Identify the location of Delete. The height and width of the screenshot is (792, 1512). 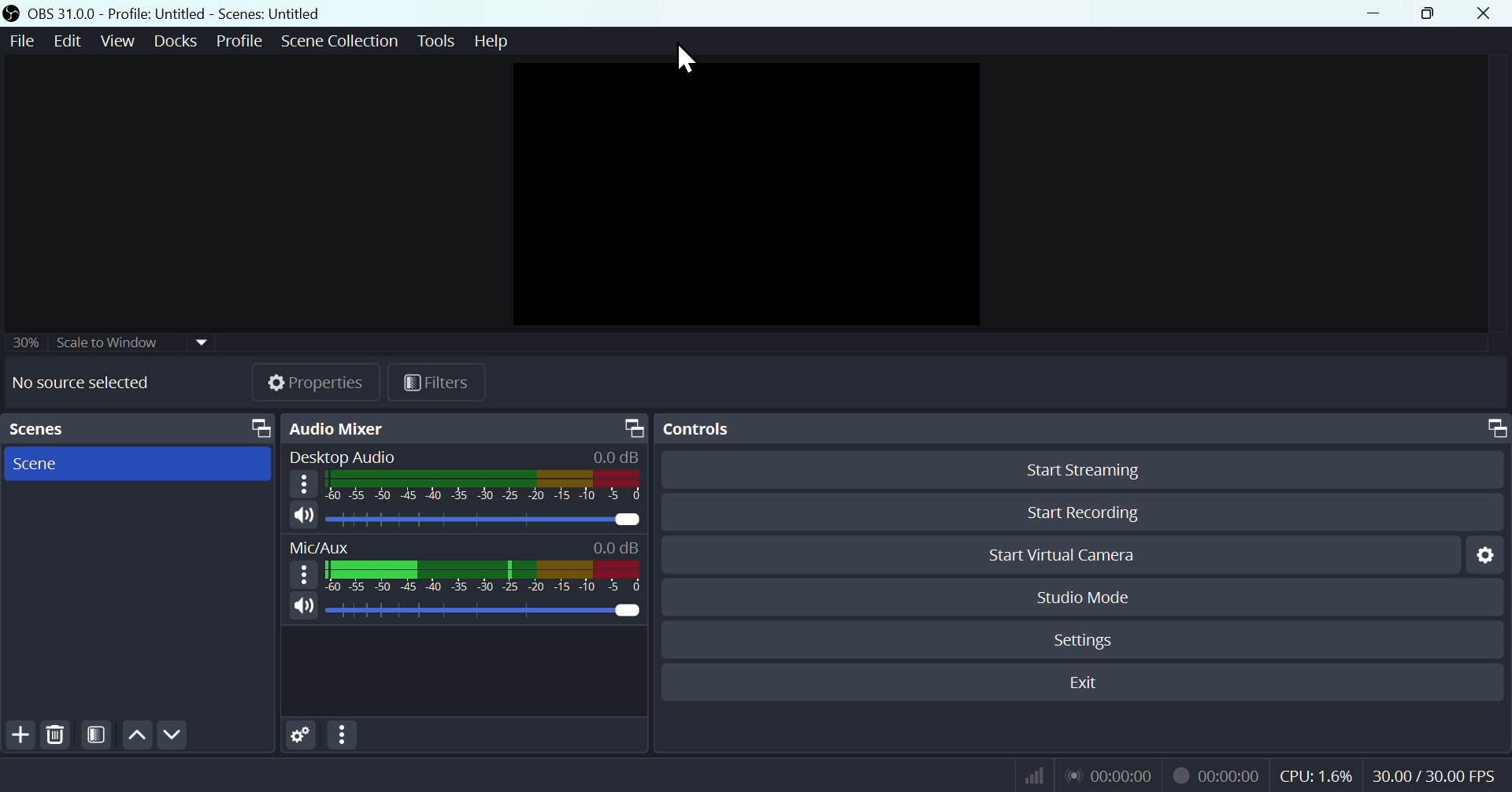
(55, 734).